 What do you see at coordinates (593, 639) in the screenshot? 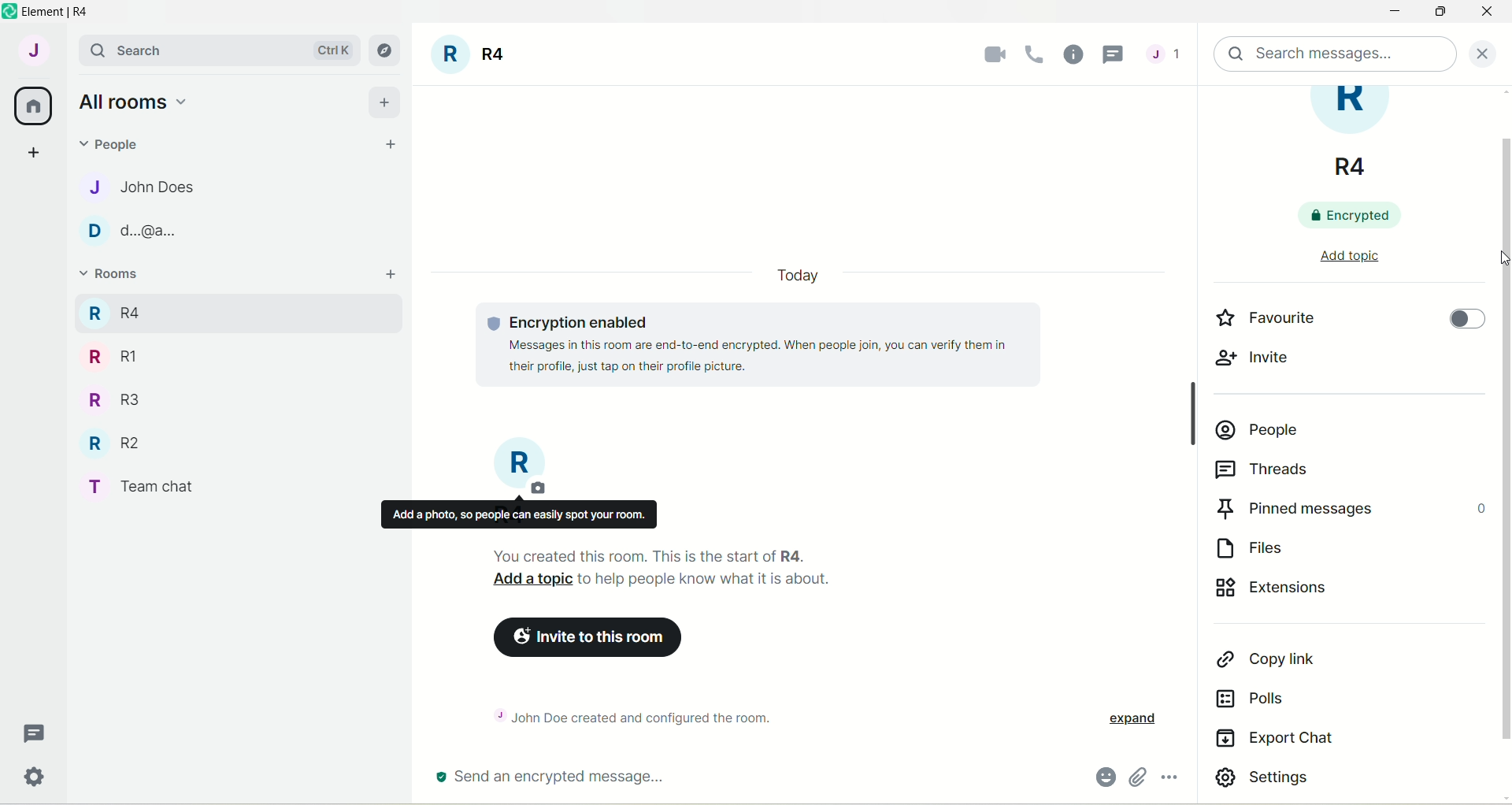
I see `invite to this room` at bounding box center [593, 639].